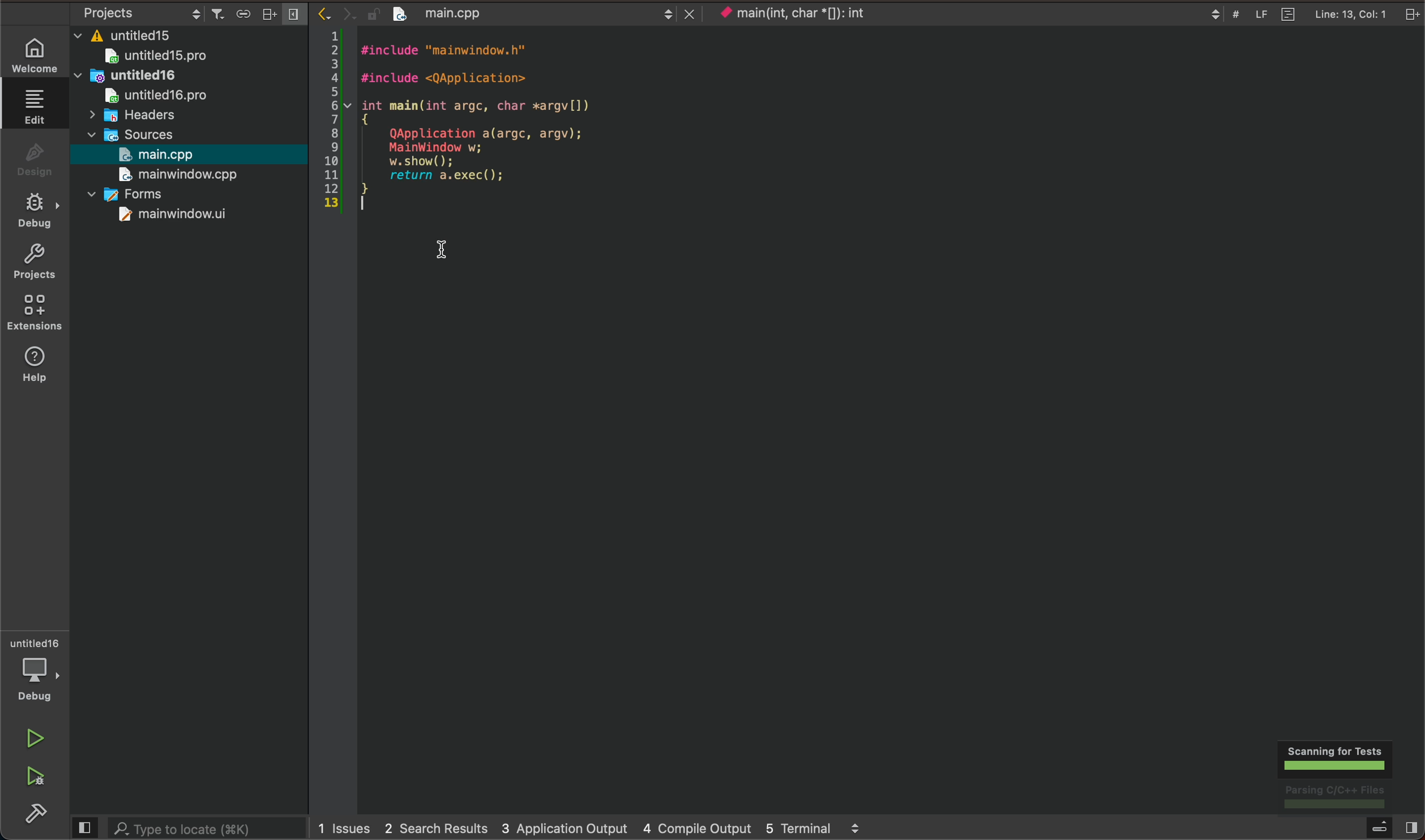  What do you see at coordinates (332, 13) in the screenshot?
I see `arrow icons` at bounding box center [332, 13].